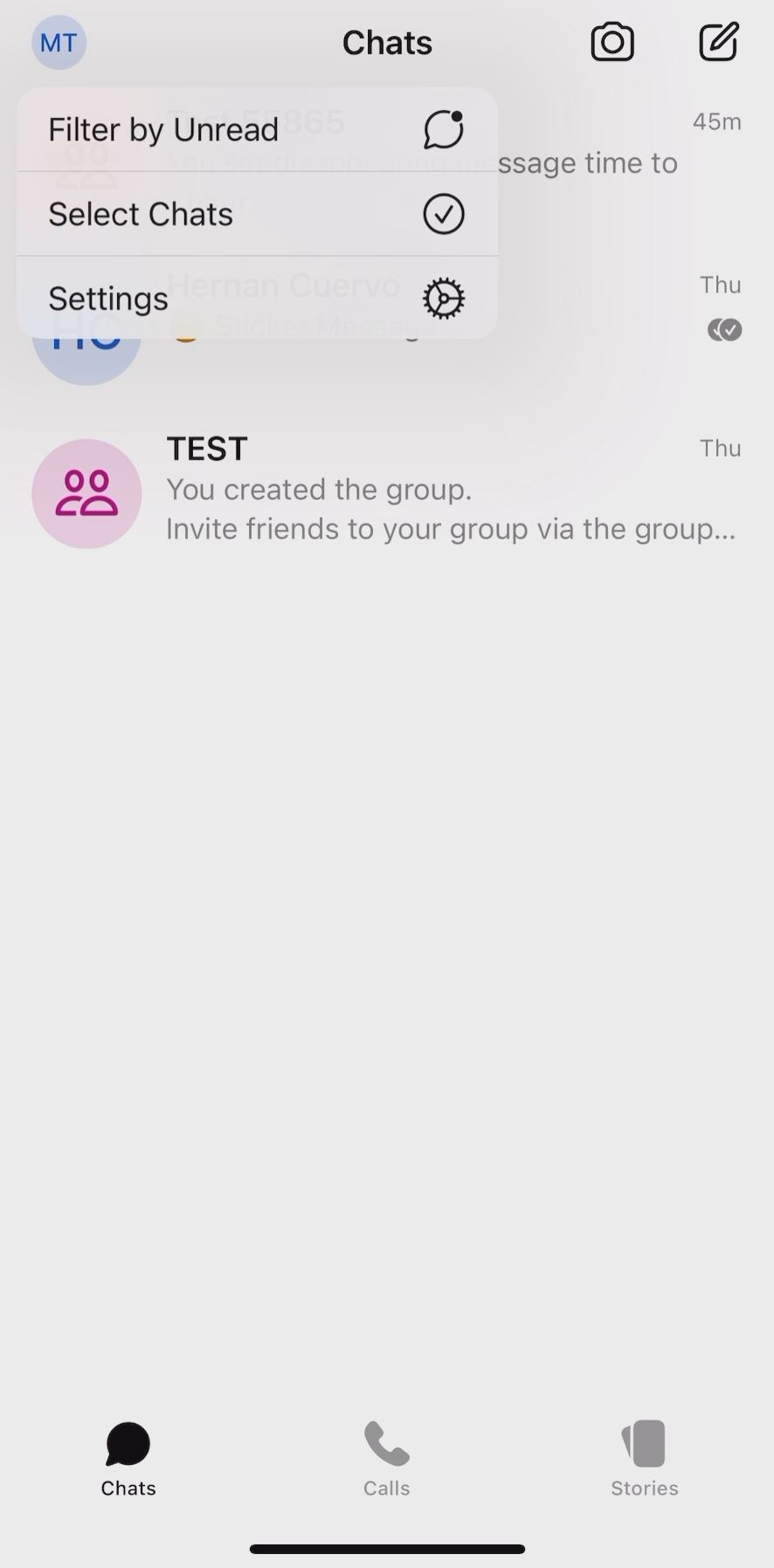 Image resolution: width=774 pixels, height=1568 pixels. What do you see at coordinates (86, 364) in the screenshot?
I see `half circle` at bounding box center [86, 364].